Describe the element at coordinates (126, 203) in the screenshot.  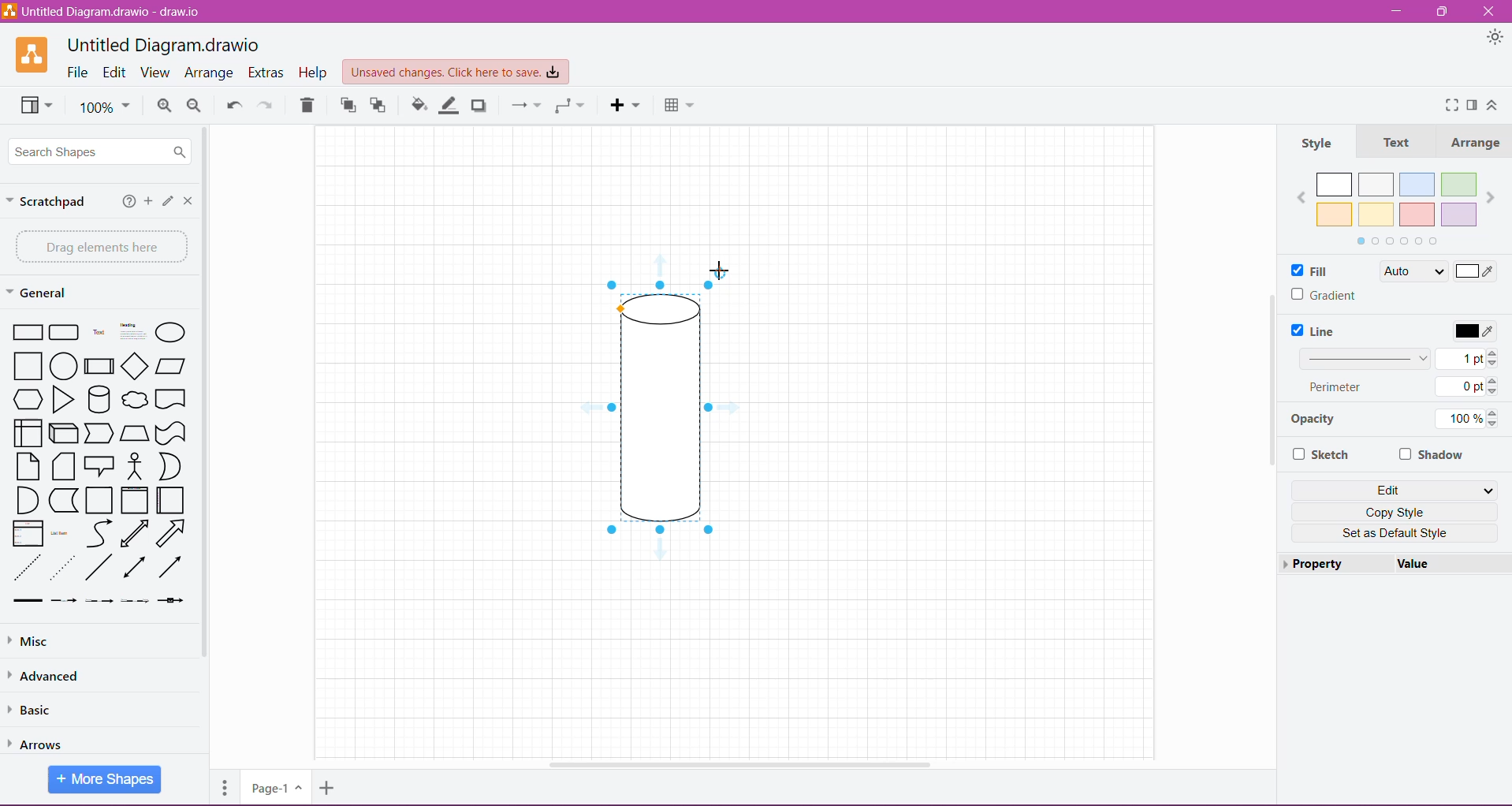
I see `Help` at that location.